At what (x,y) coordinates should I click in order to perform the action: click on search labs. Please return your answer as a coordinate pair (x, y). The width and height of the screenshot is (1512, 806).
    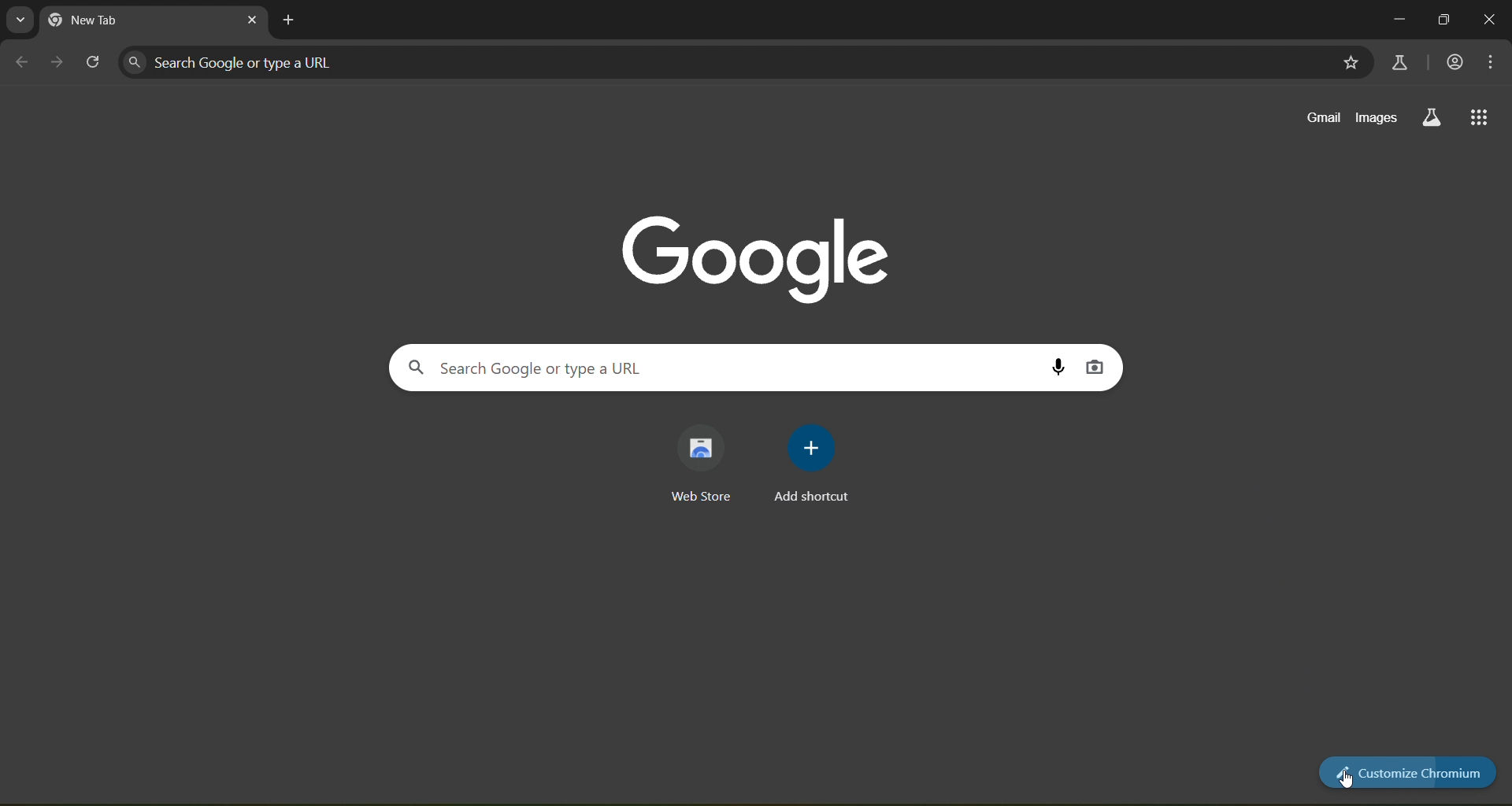
    Looking at the image, I should click on (1397, 61).